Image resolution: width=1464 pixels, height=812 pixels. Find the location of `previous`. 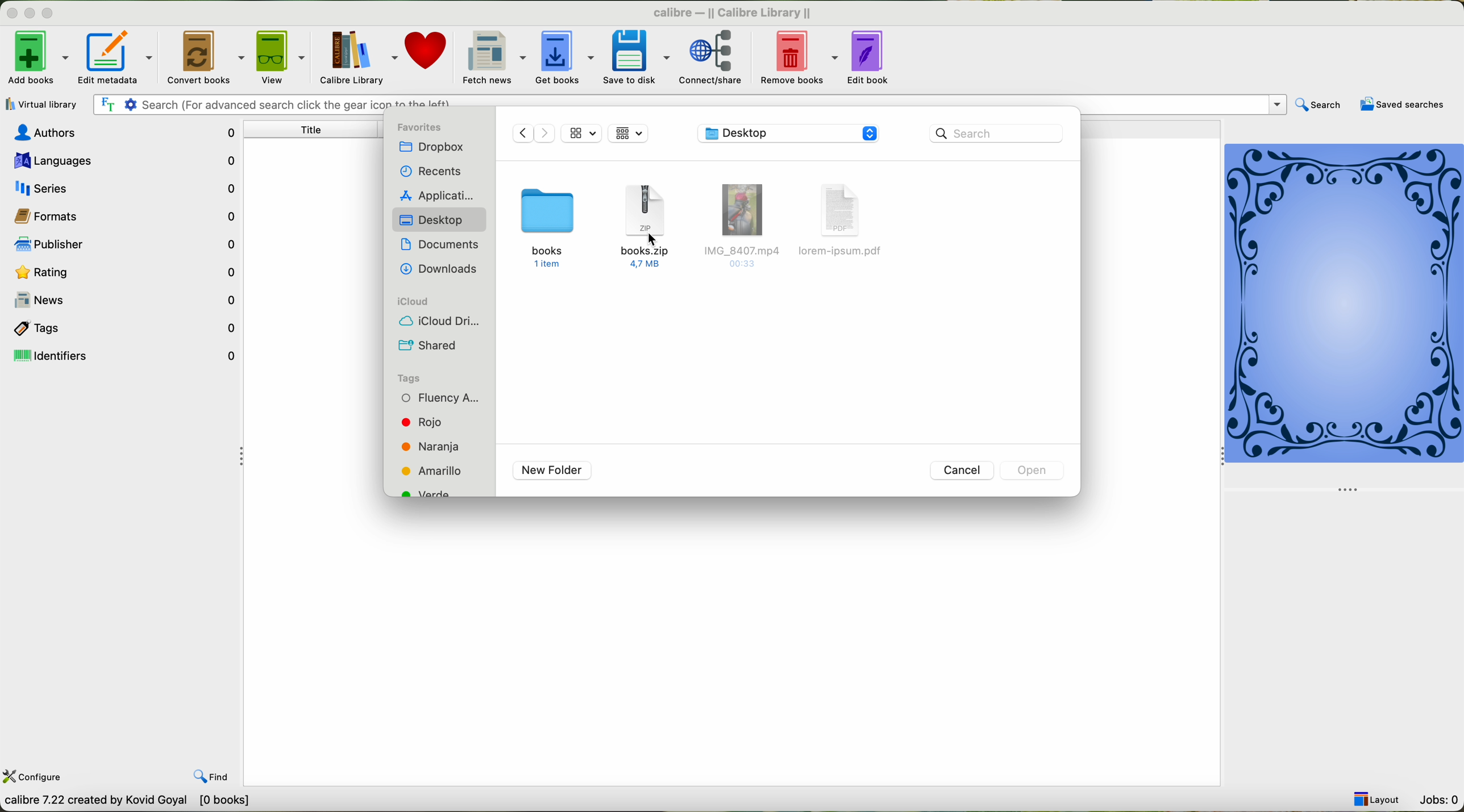

previous is located at coordinates (522, 134).